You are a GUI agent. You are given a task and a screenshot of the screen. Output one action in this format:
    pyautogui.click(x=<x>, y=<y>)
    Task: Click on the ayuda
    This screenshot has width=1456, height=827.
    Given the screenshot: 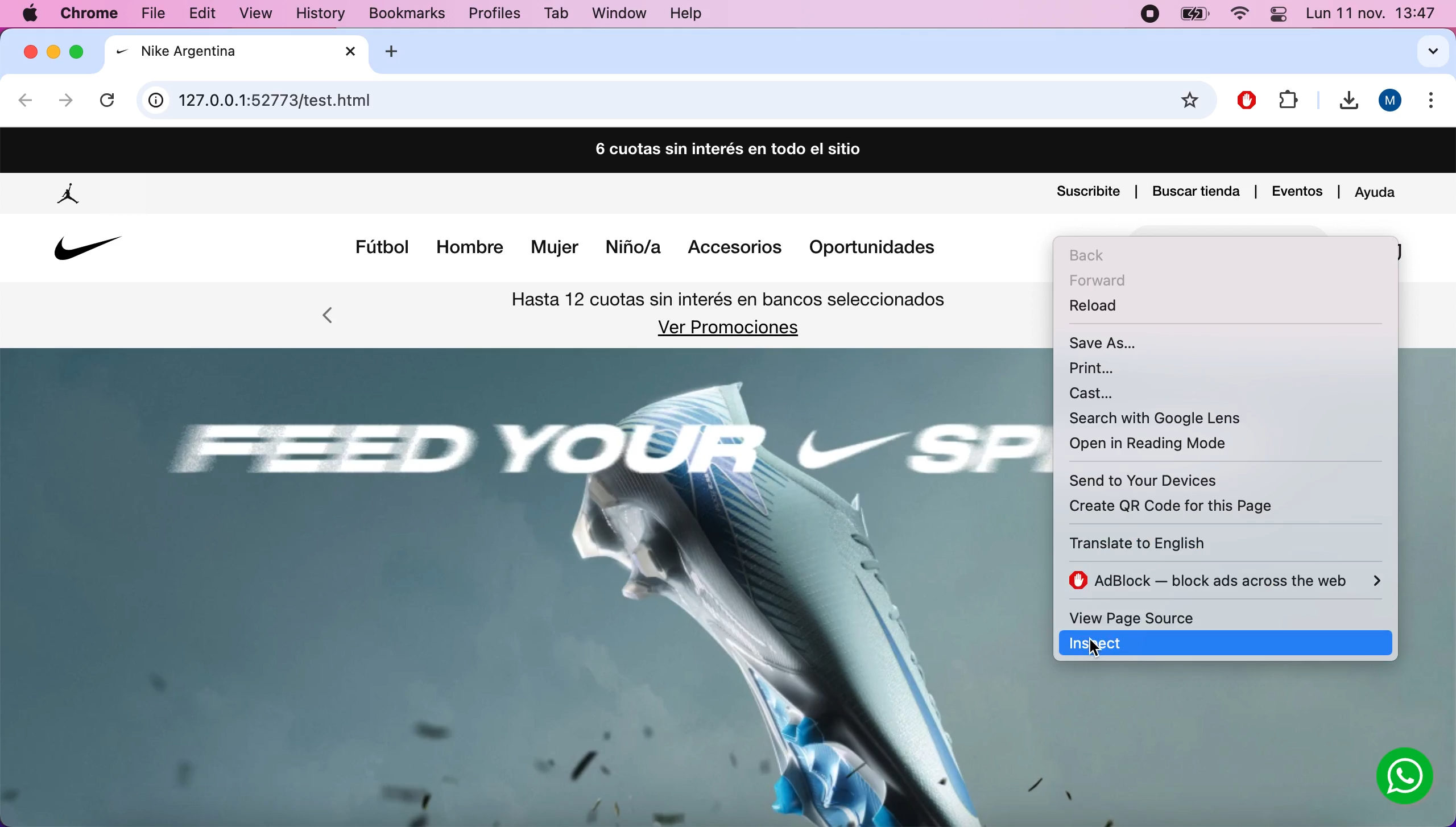 What is the action you would take?
    pyautogui.click(x=1379, y=189)
    